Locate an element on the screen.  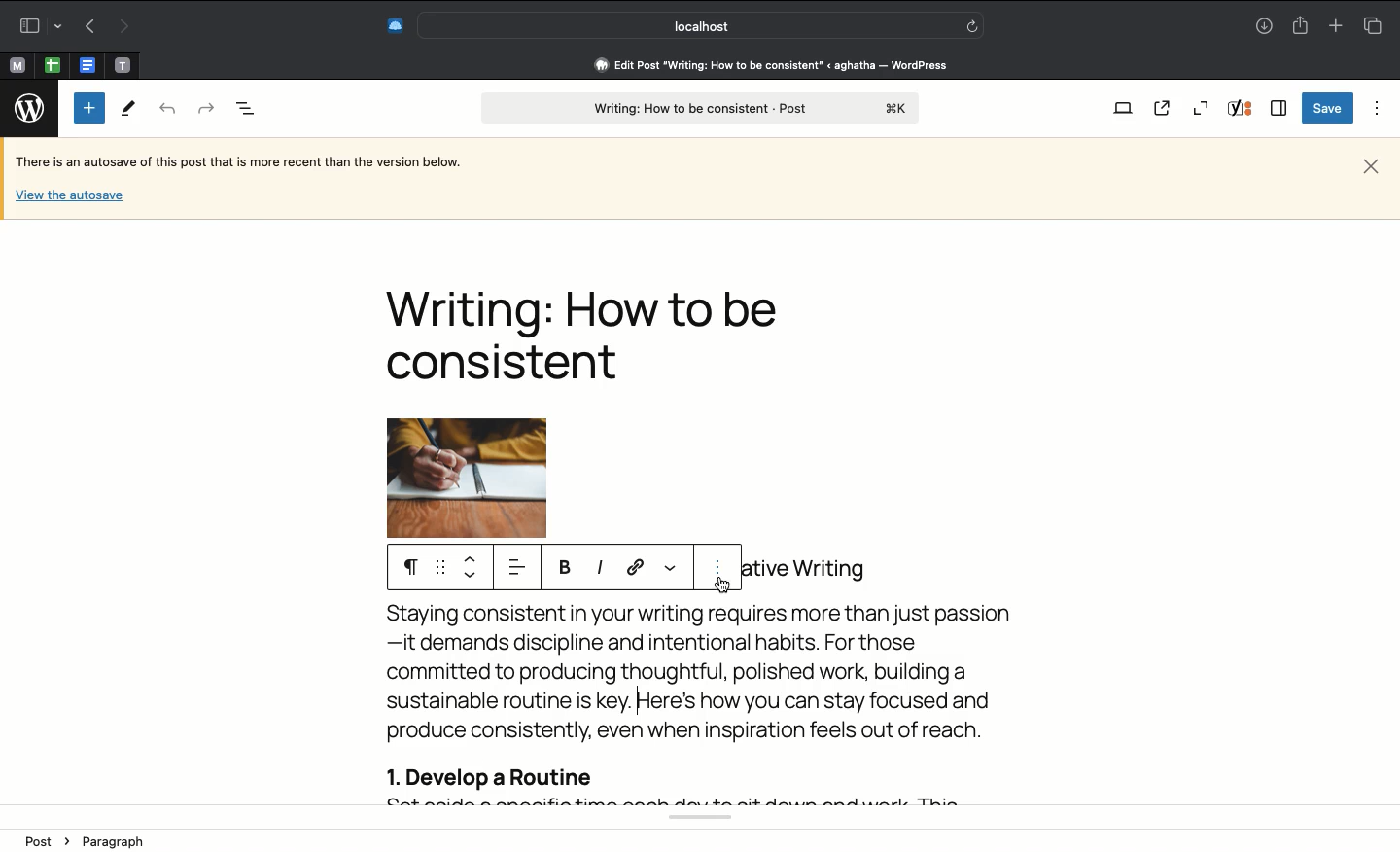
Drag is located at coordinates (439, 568).